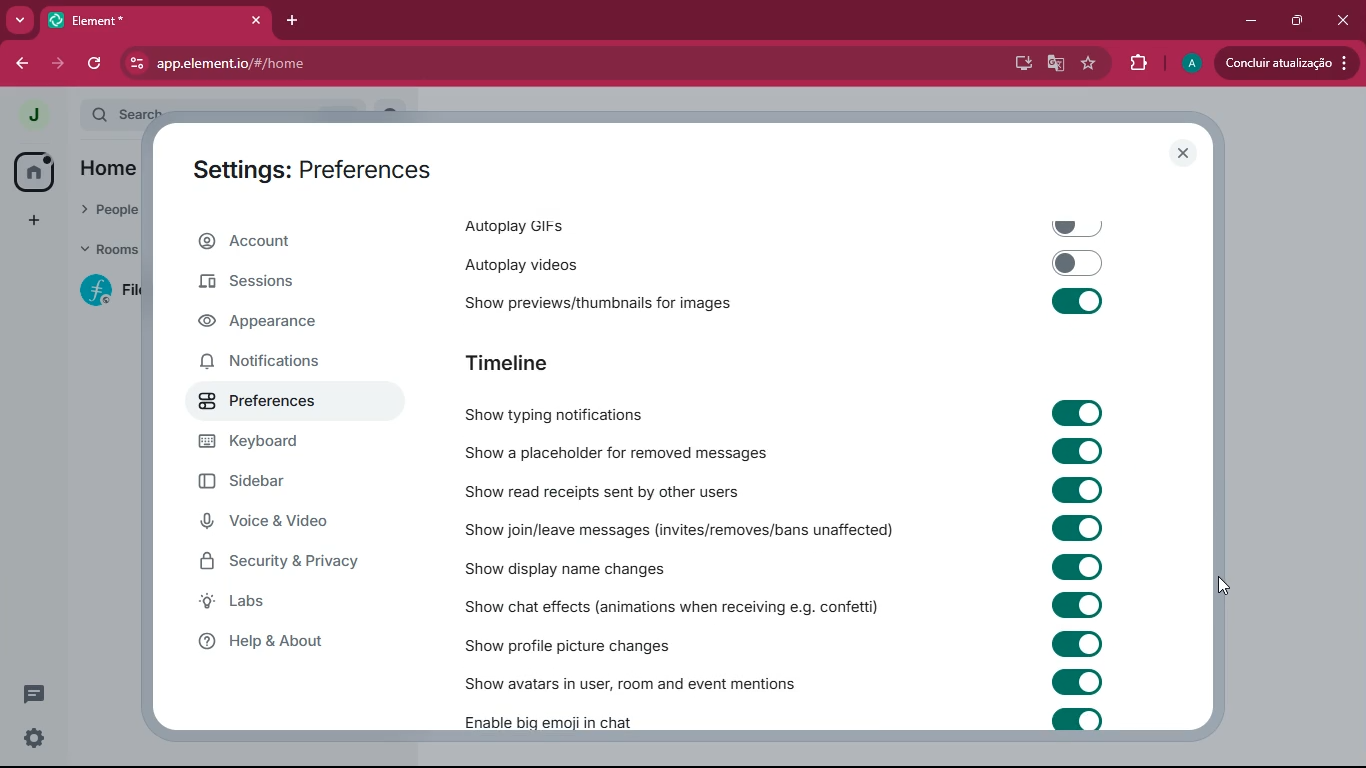 The image size is (1366, 768). Describe the element at coordinates (304, 171) in the screenshot. I see `settings: preferences` at that location.